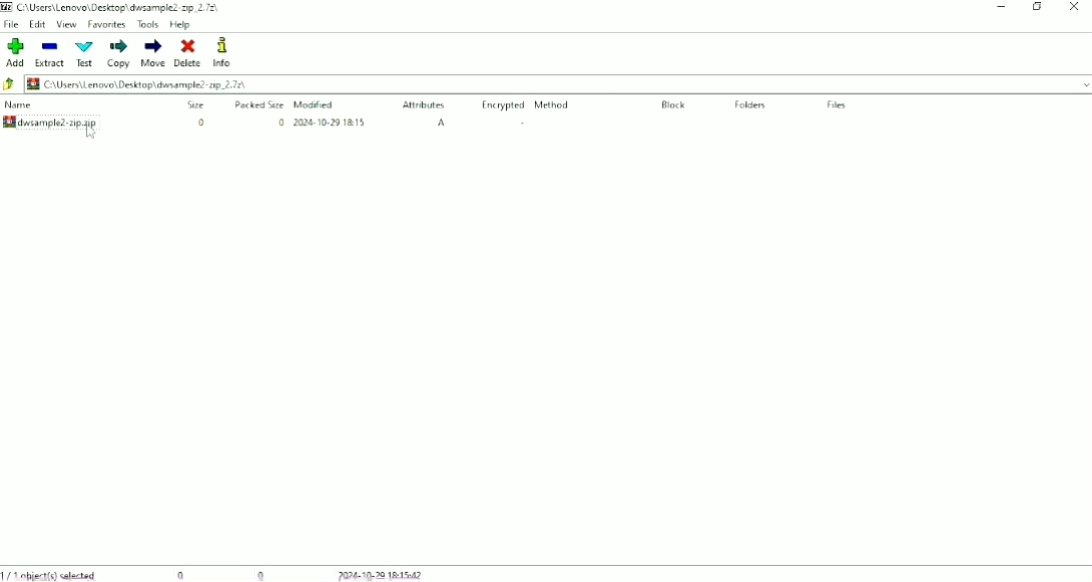 This screenshot has width=1092, height=582. What do you see at coordinates (51, 53) in the screenshot?
I see `Extract` at bounding box center [51, 53].